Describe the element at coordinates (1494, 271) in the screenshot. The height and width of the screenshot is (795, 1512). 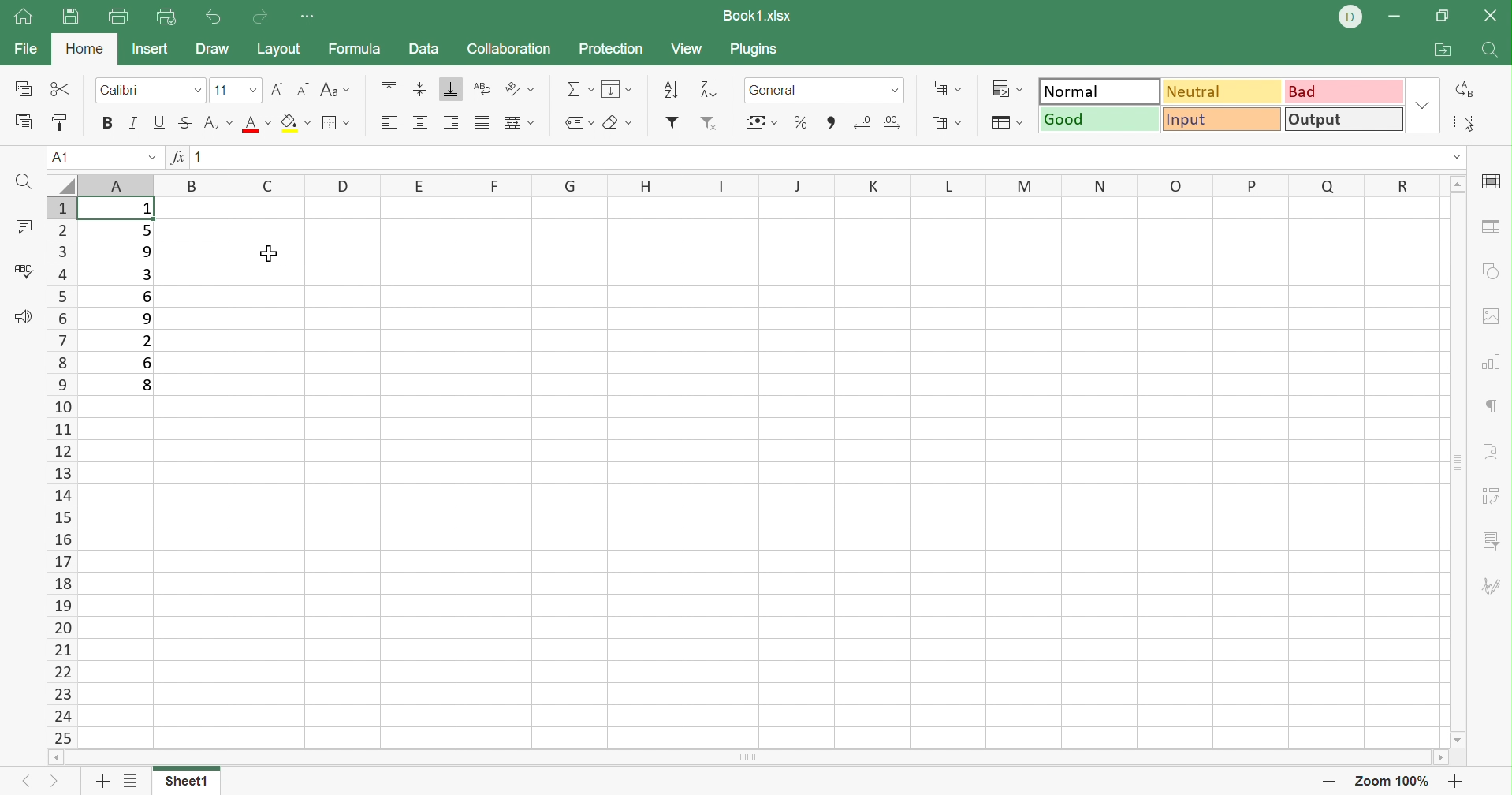
I see `Shape settings` at that location.